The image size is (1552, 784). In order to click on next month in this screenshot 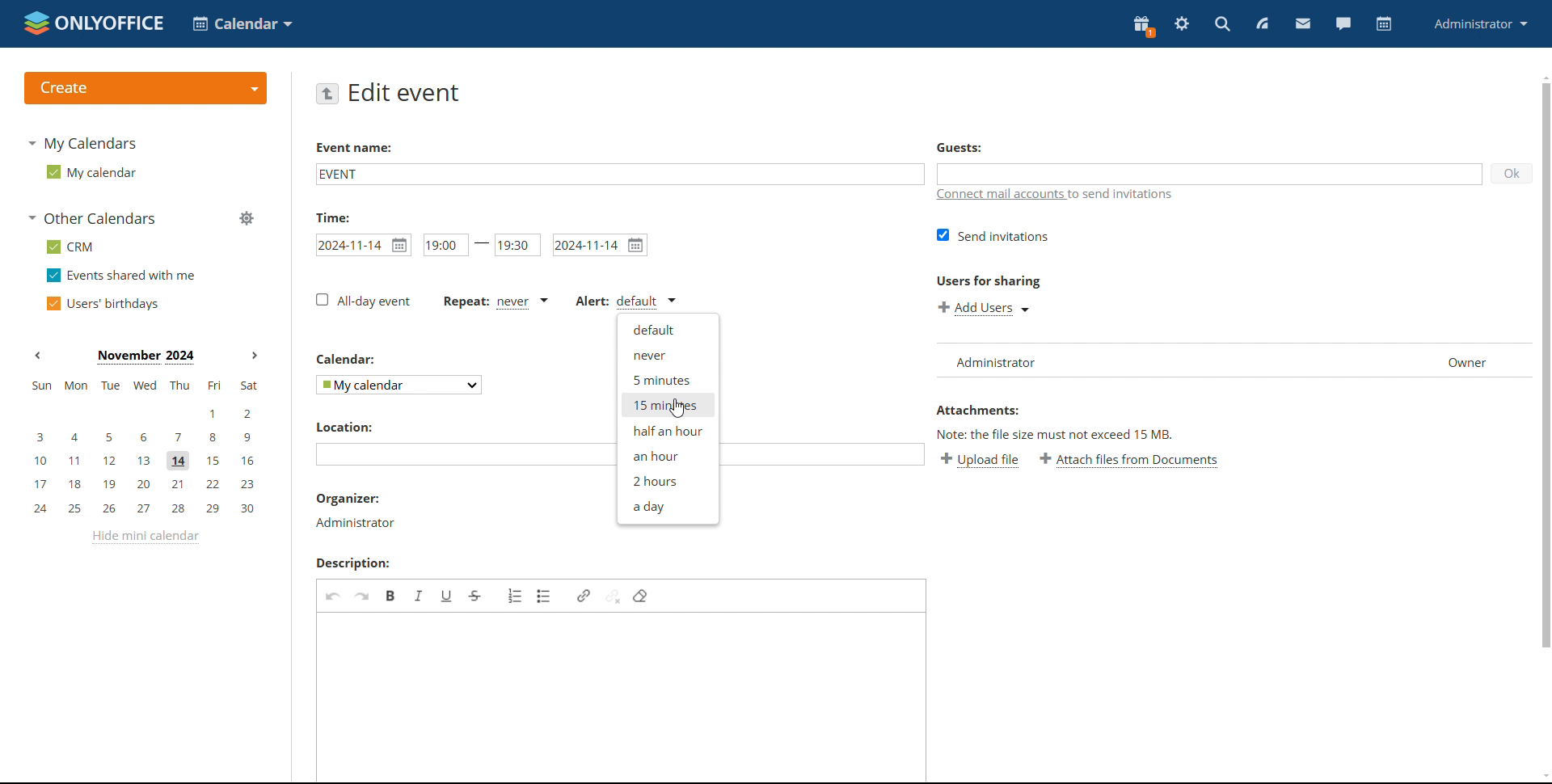, I will do `click(254, 354)`.